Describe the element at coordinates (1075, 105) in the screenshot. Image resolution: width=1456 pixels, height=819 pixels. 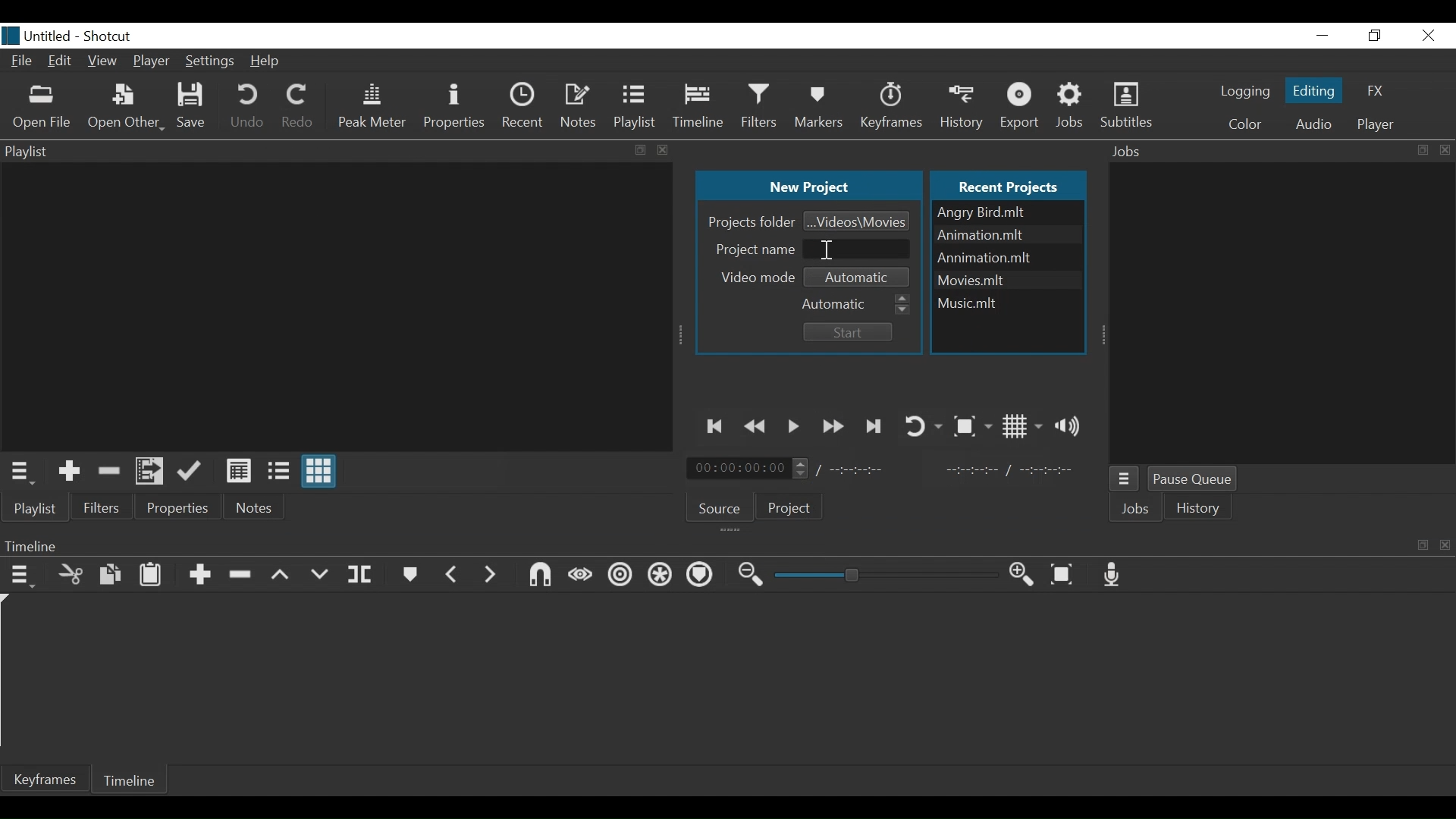
I see `Jobs` at that location.